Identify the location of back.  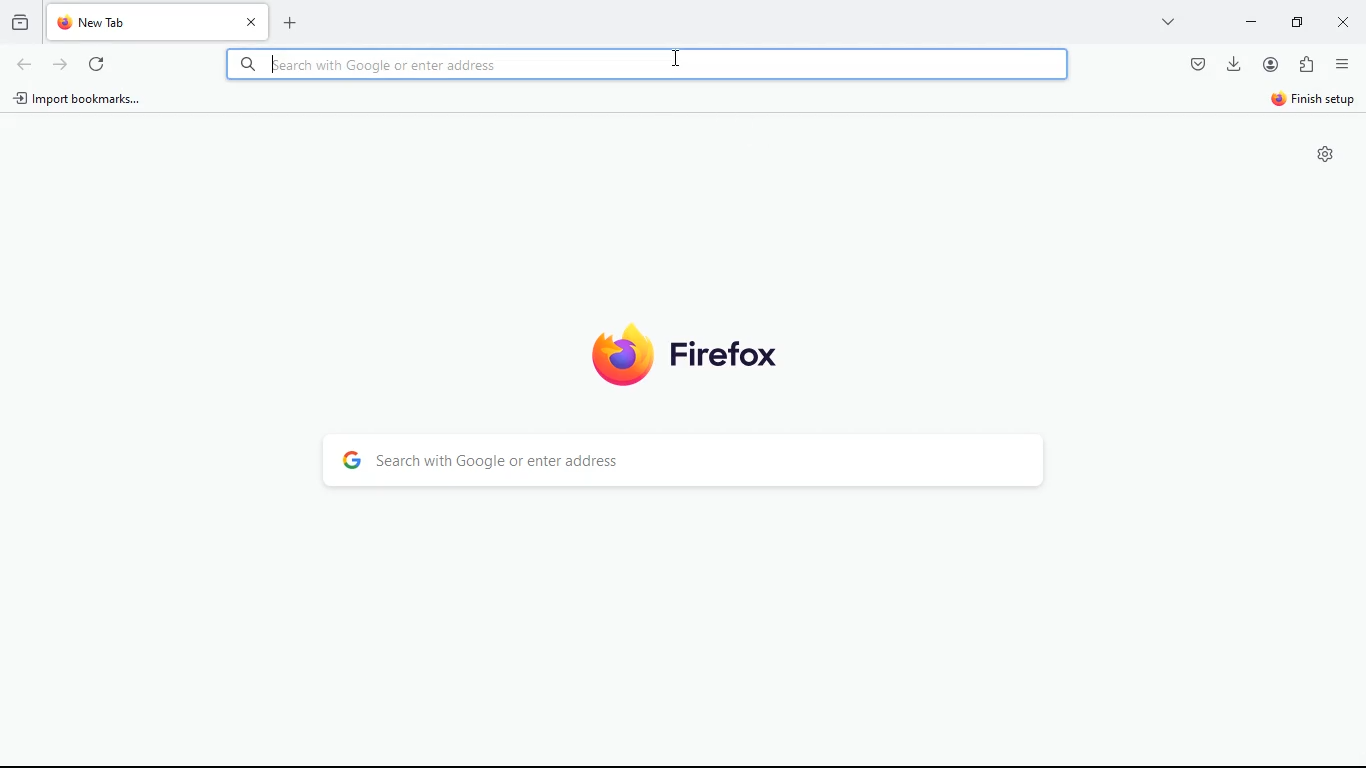
(23, 64).